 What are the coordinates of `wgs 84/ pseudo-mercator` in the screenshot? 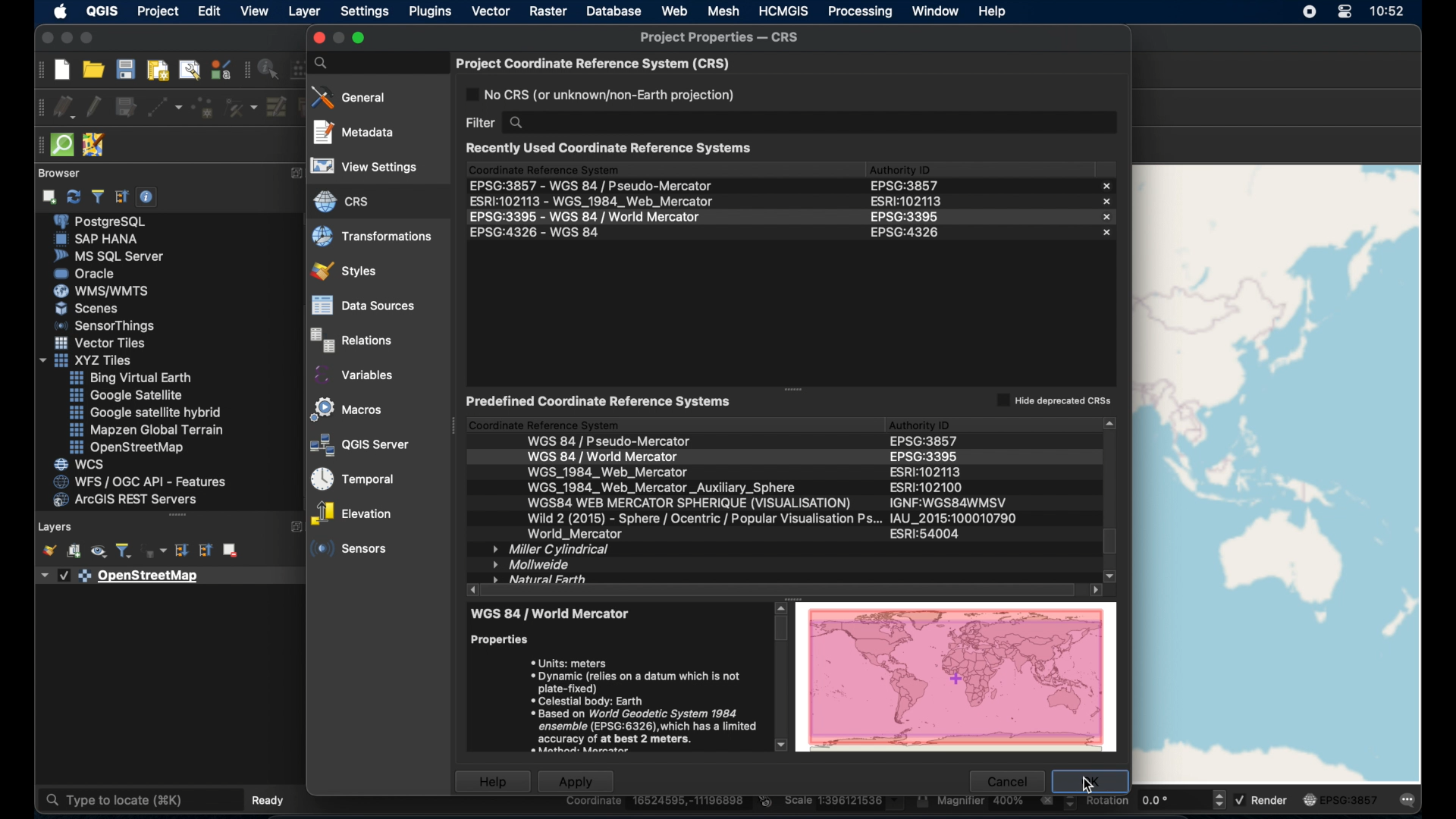 It's located at (613, 441).